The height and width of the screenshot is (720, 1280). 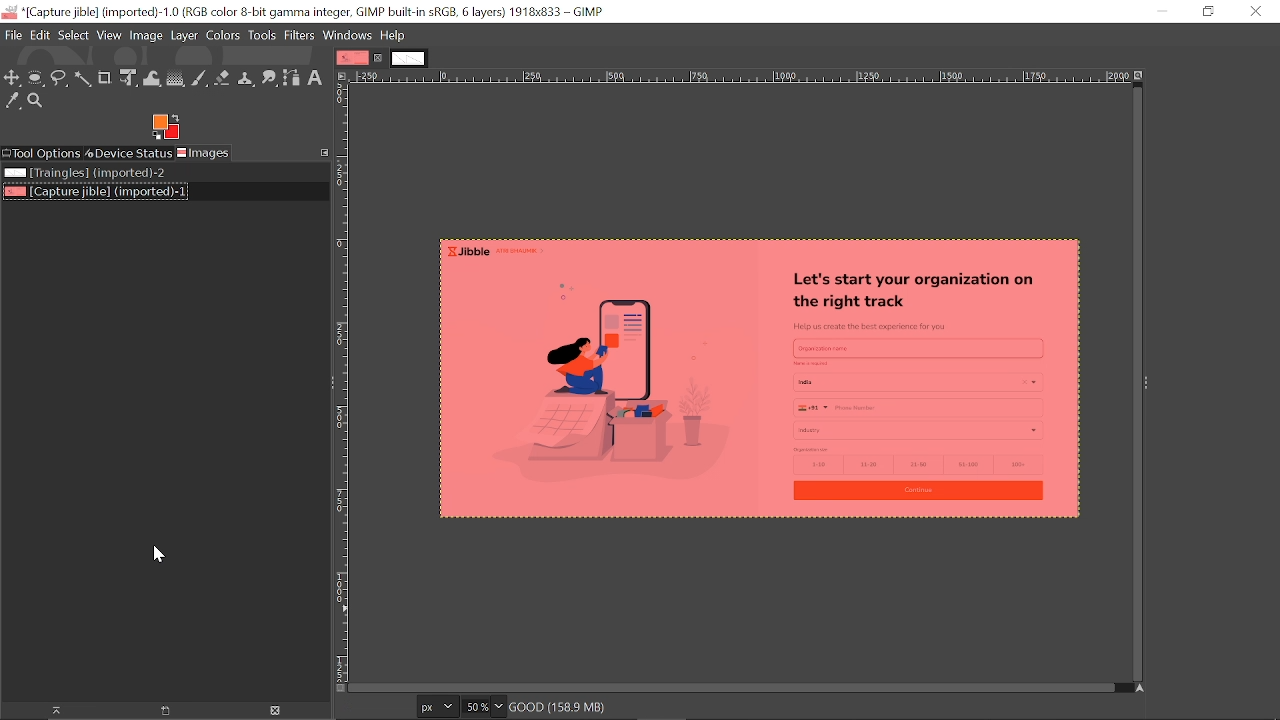 I want to click on View, so click(x=109, y=35).